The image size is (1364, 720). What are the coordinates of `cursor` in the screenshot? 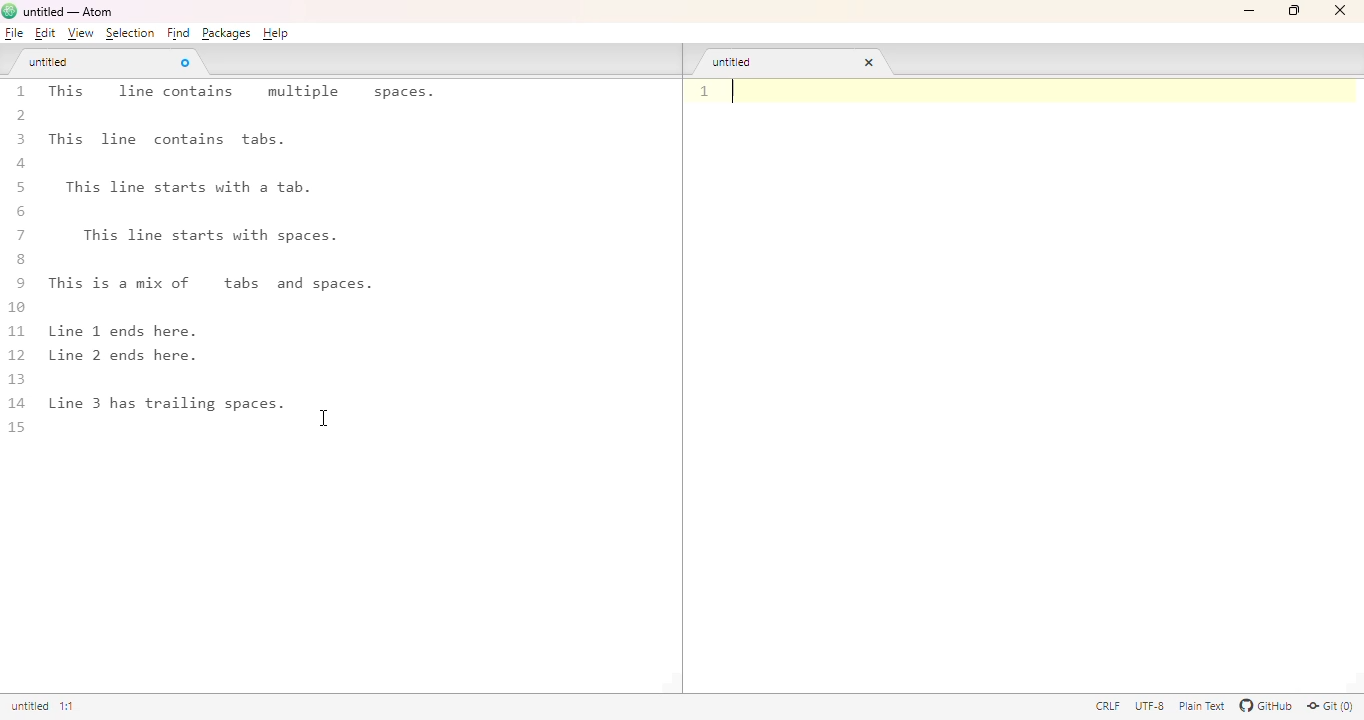 It's located at (325, 418).